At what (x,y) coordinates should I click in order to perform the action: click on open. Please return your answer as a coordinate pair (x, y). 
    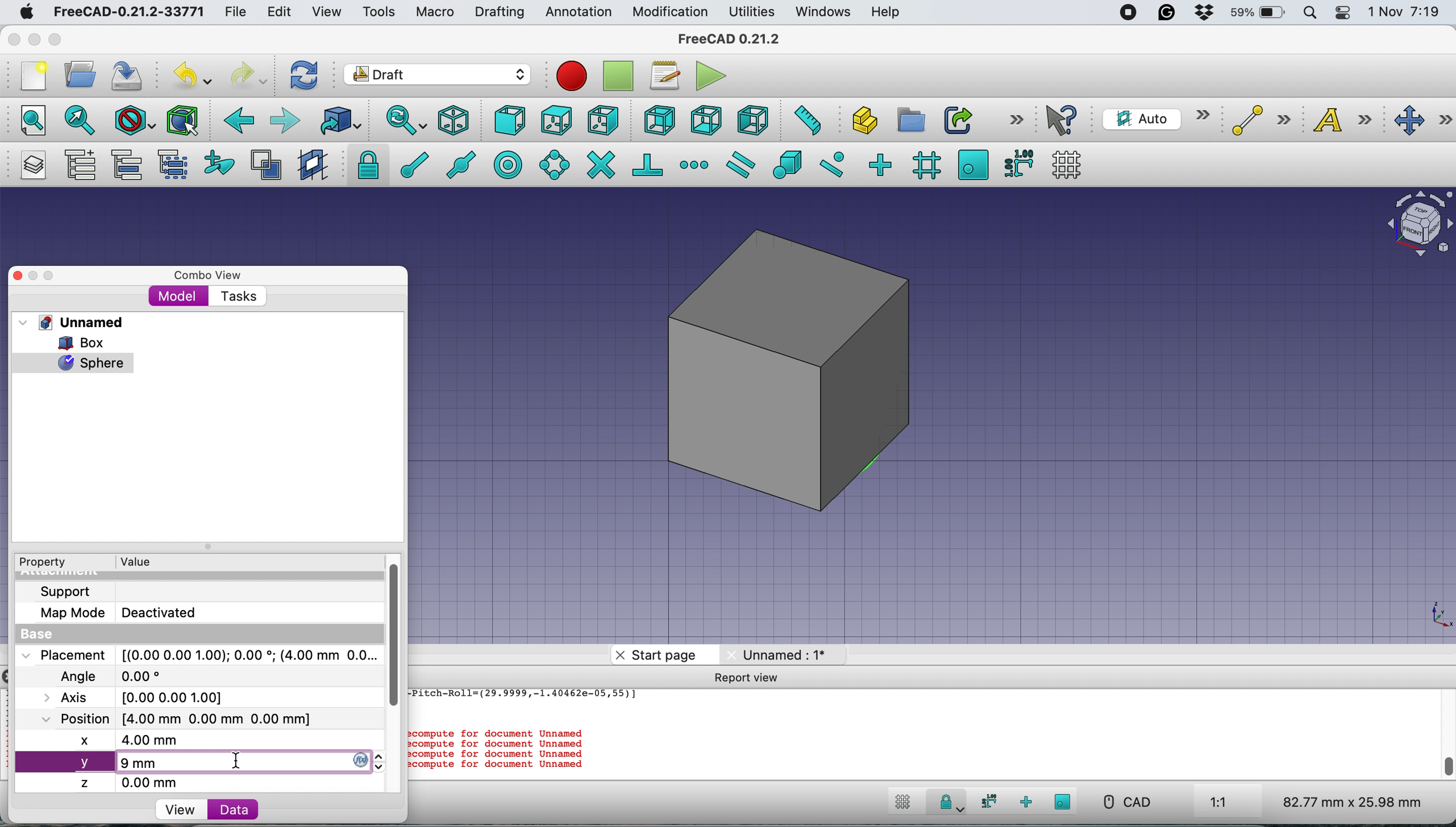
    Looking at the image, I should click on (85, 74).